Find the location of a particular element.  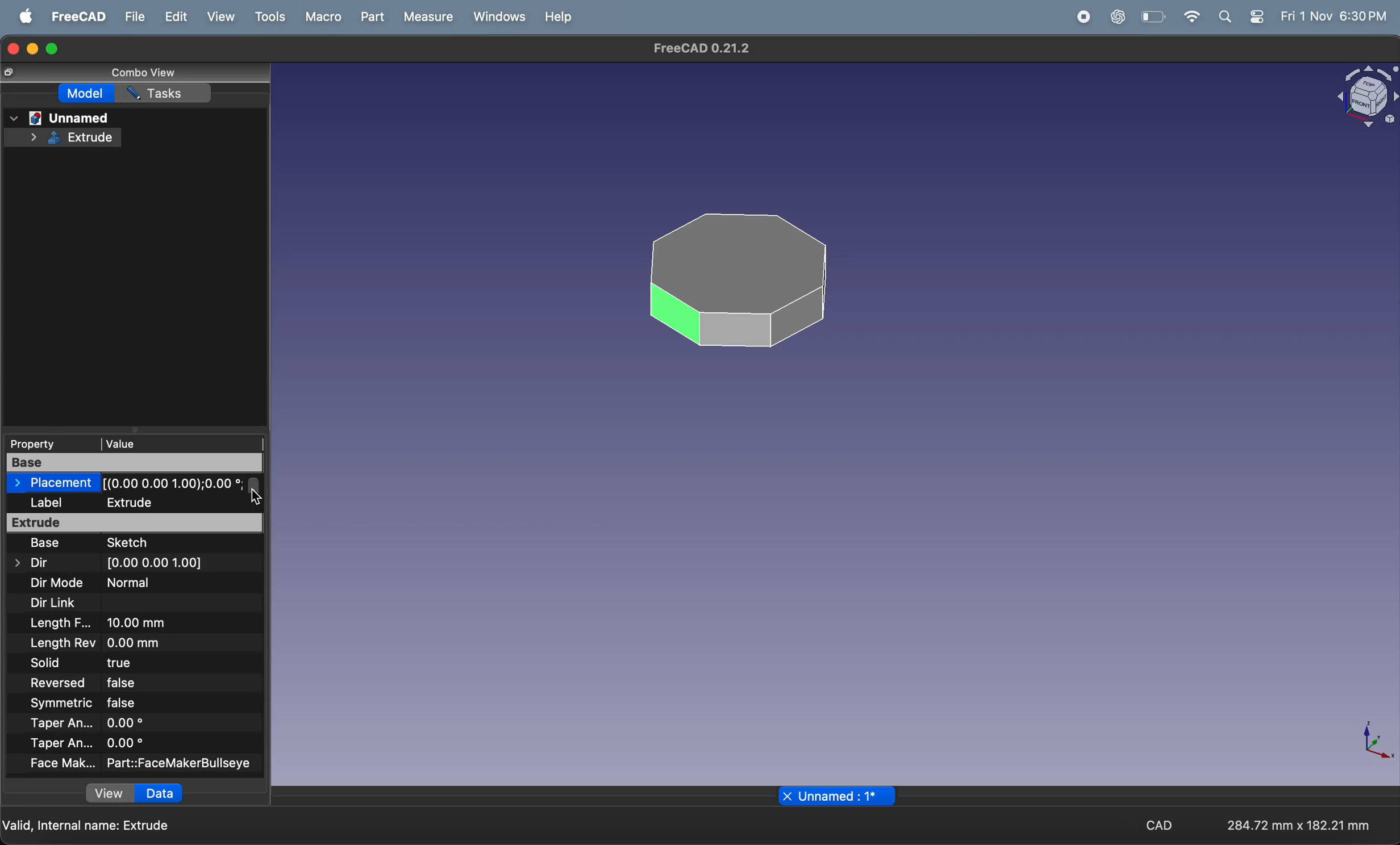

[0.00 0.00 1.00] is located at coordinates (156, 563).